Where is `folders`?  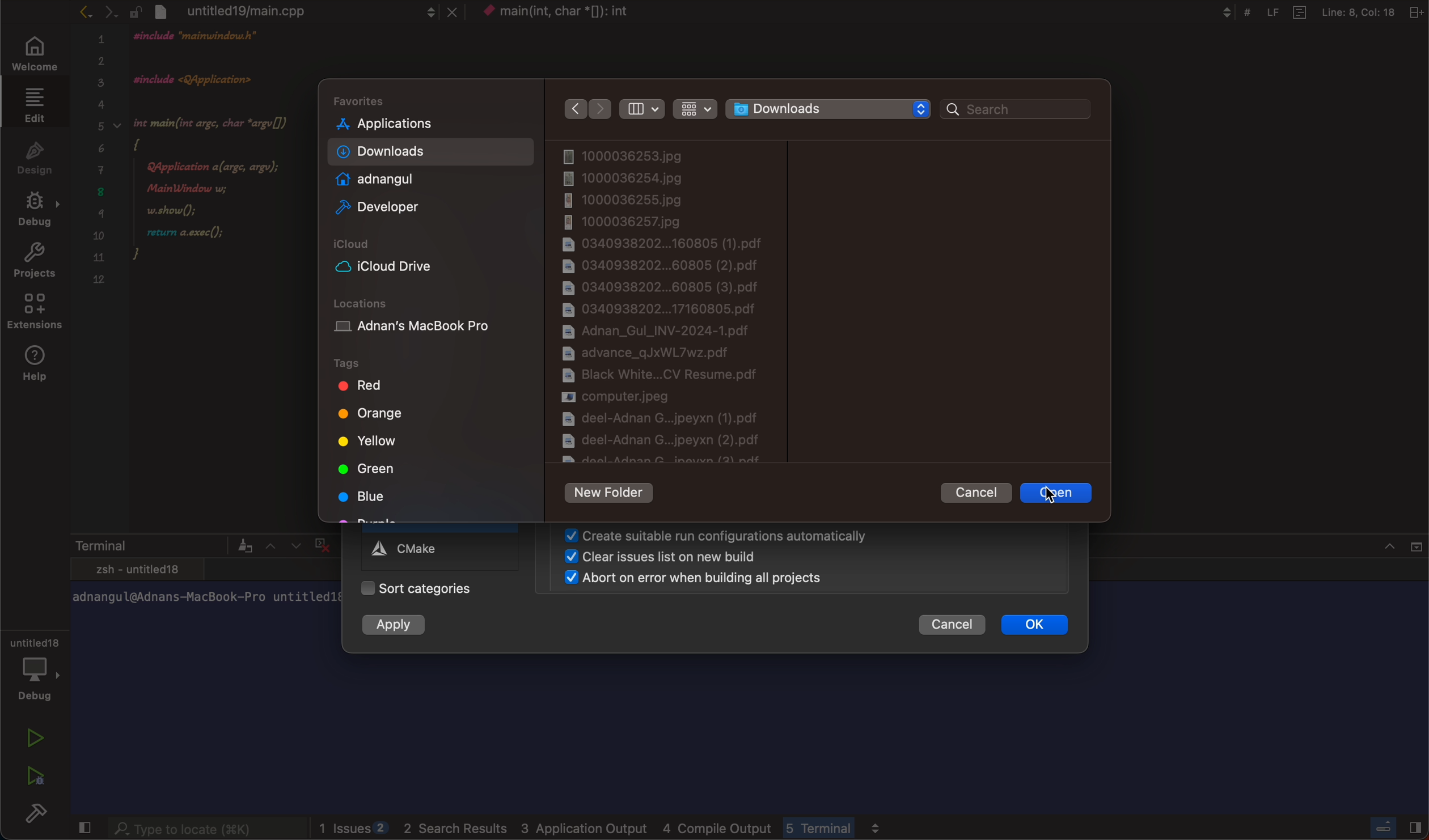
folders is located at coordinates (433, 156).